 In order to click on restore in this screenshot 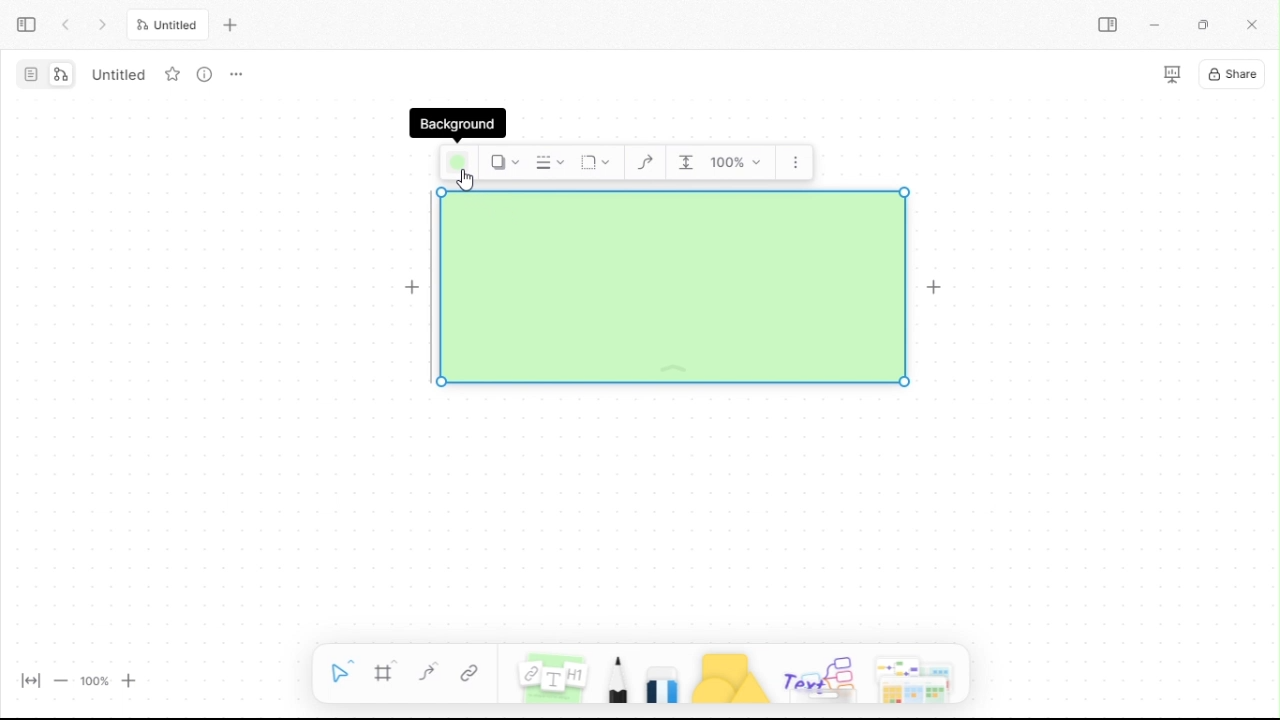, I will do `click(1209, 25)`.